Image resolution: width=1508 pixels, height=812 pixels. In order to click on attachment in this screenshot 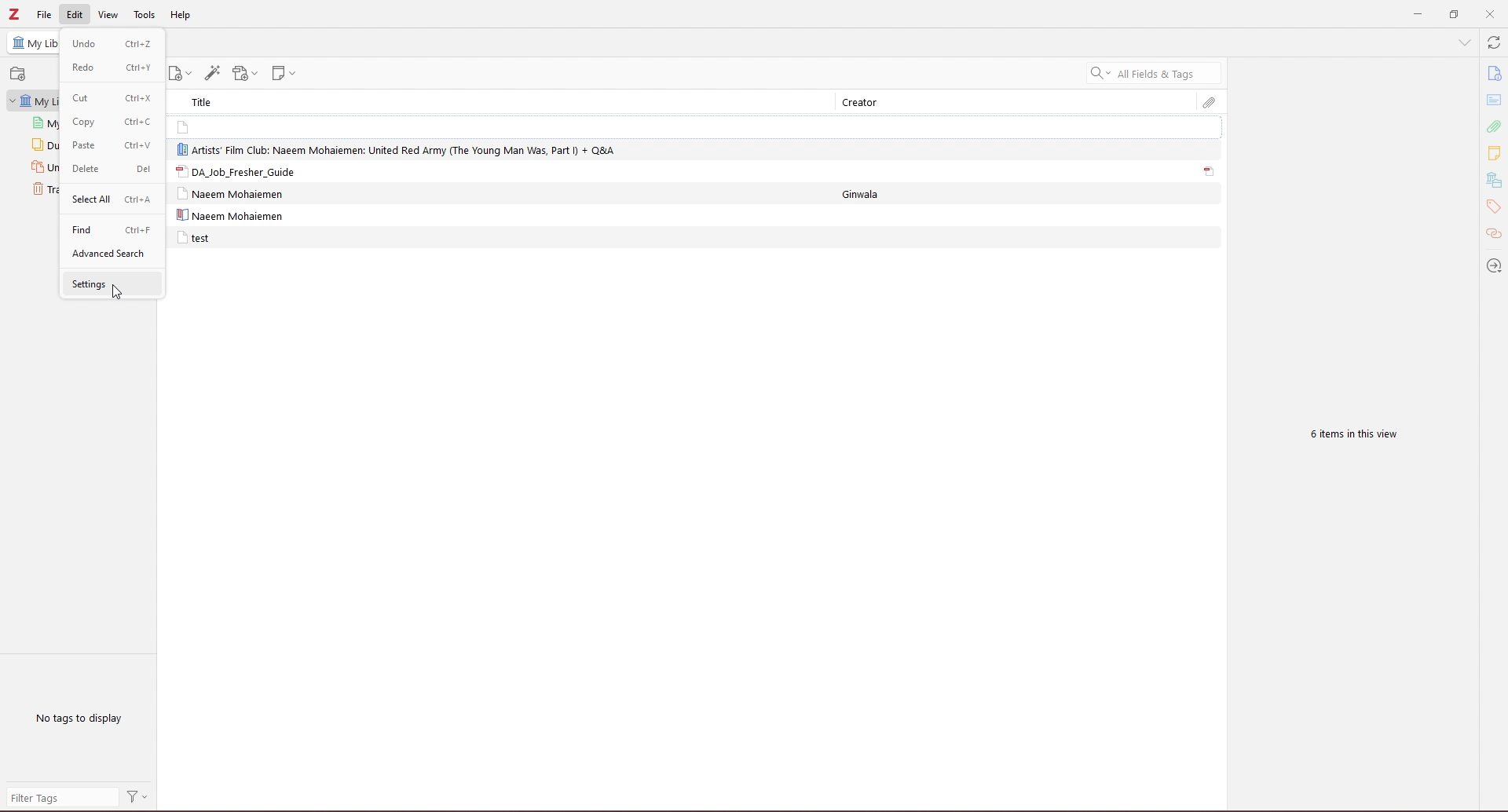, I will do `click(1210, 172)`.